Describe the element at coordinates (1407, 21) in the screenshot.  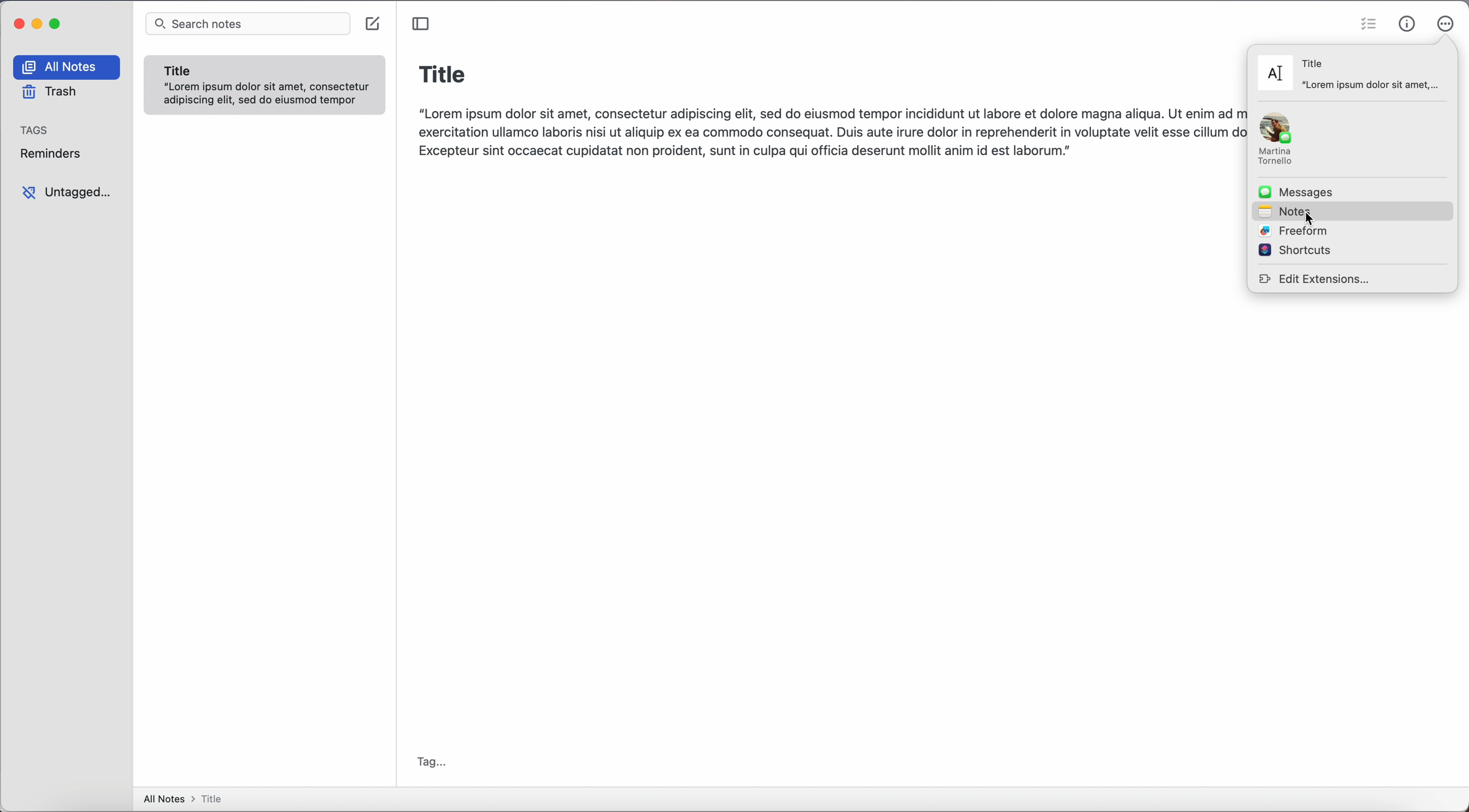
I see `metrics` at that location.